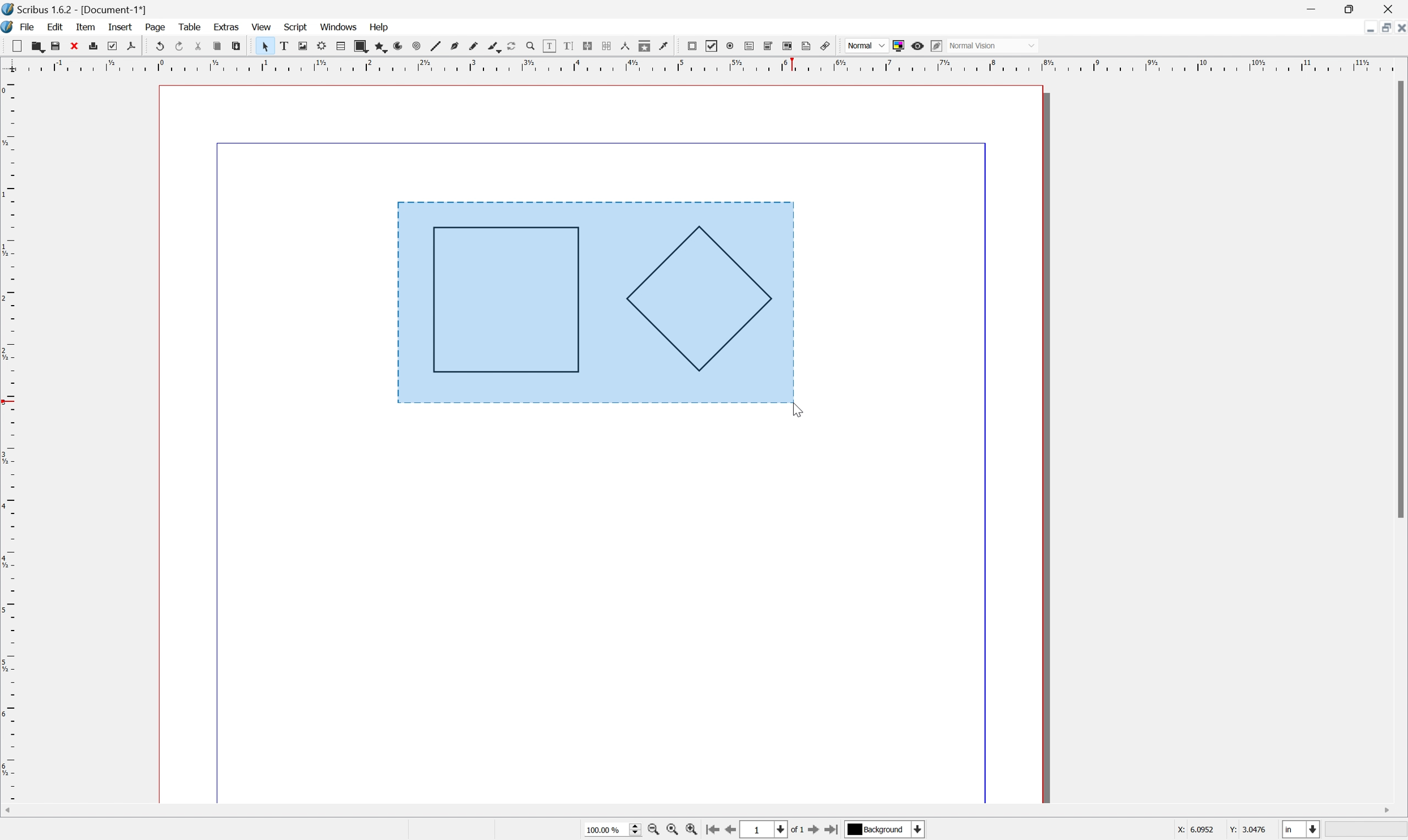 The height and width of the screenshot is (840, 1408). What do you see at coordinates (263, 27) in the screenshot?
I see `view` at bounding box center [263, 27].